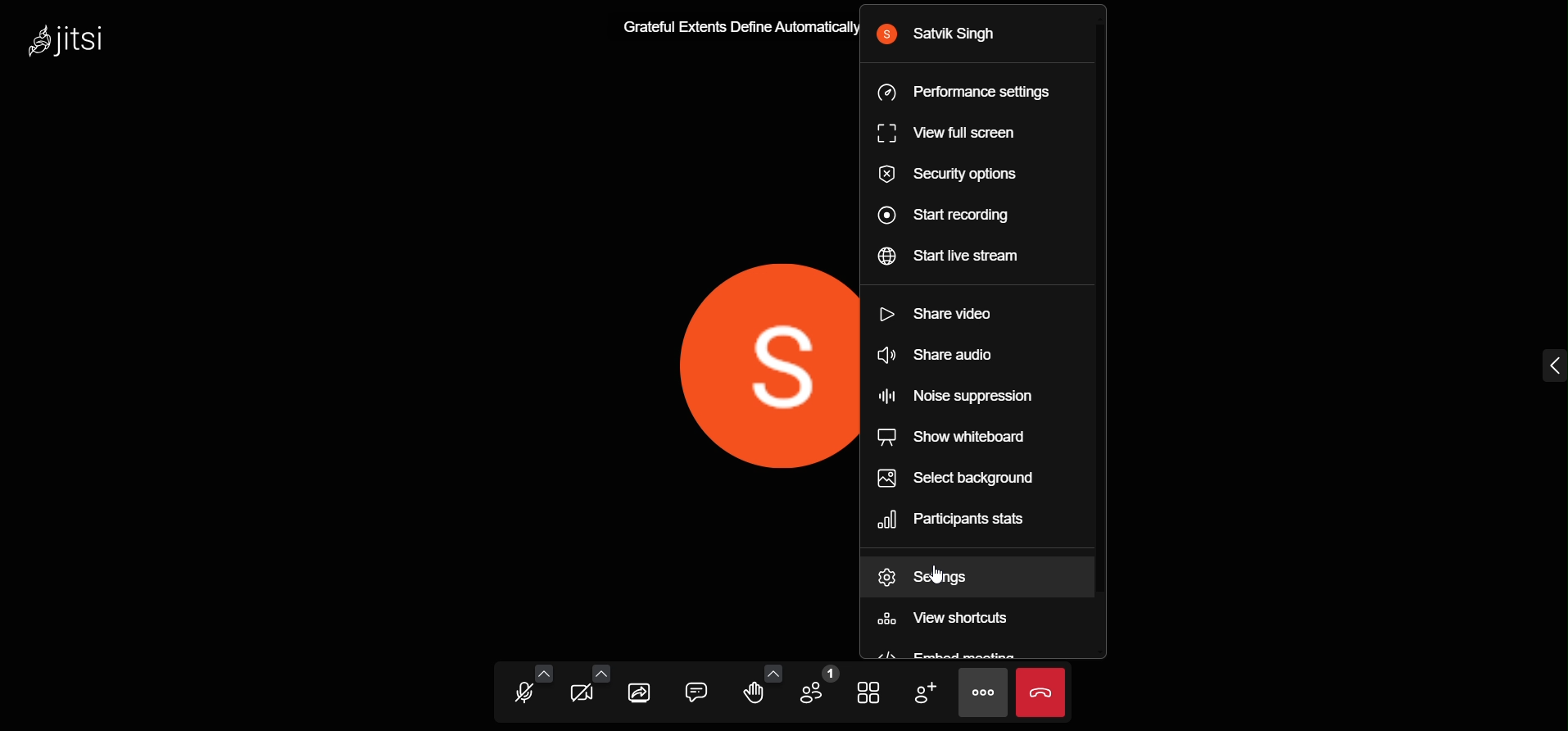 This screenshot has width=1568, height=731. Describe the element at coordinates (968, 93) in the screenshot. I see `performance setting` at that location.